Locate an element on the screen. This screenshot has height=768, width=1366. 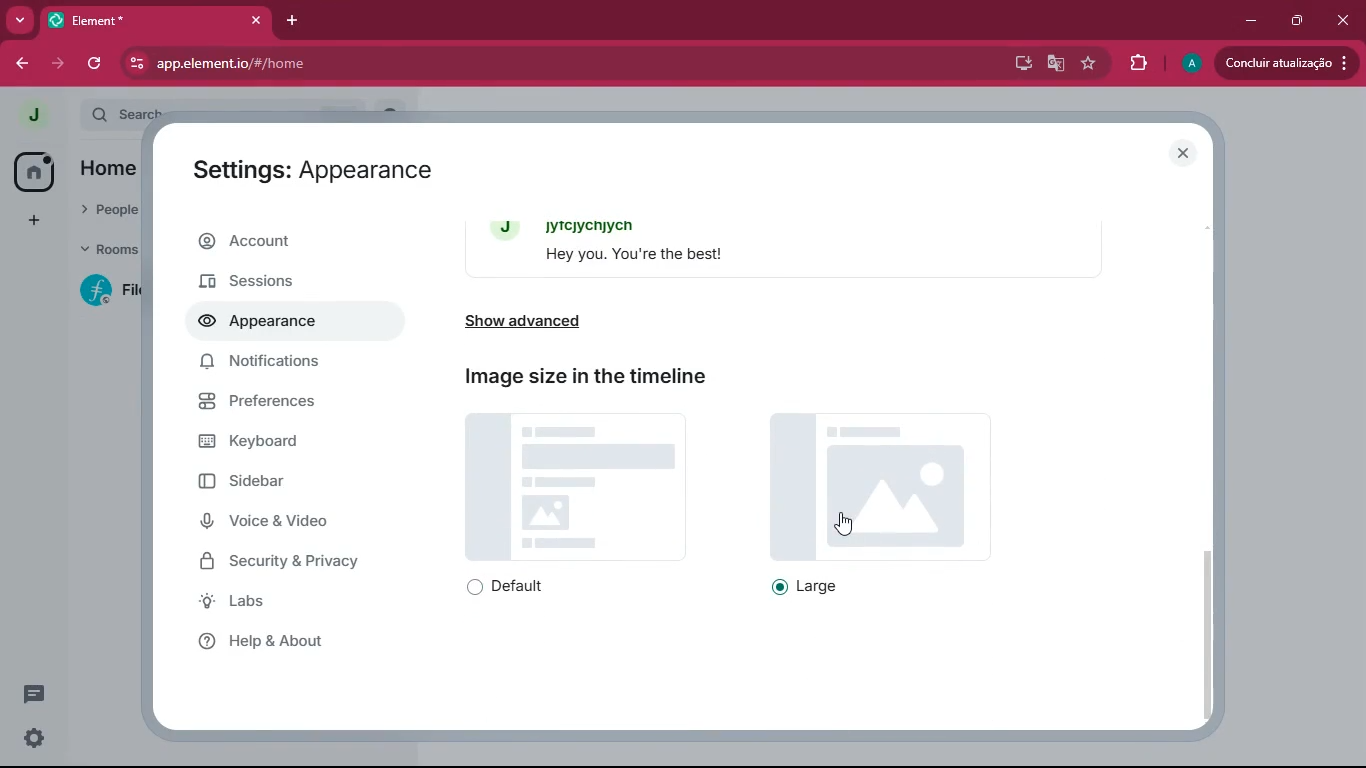
settings is located at coordinates (33, 737).